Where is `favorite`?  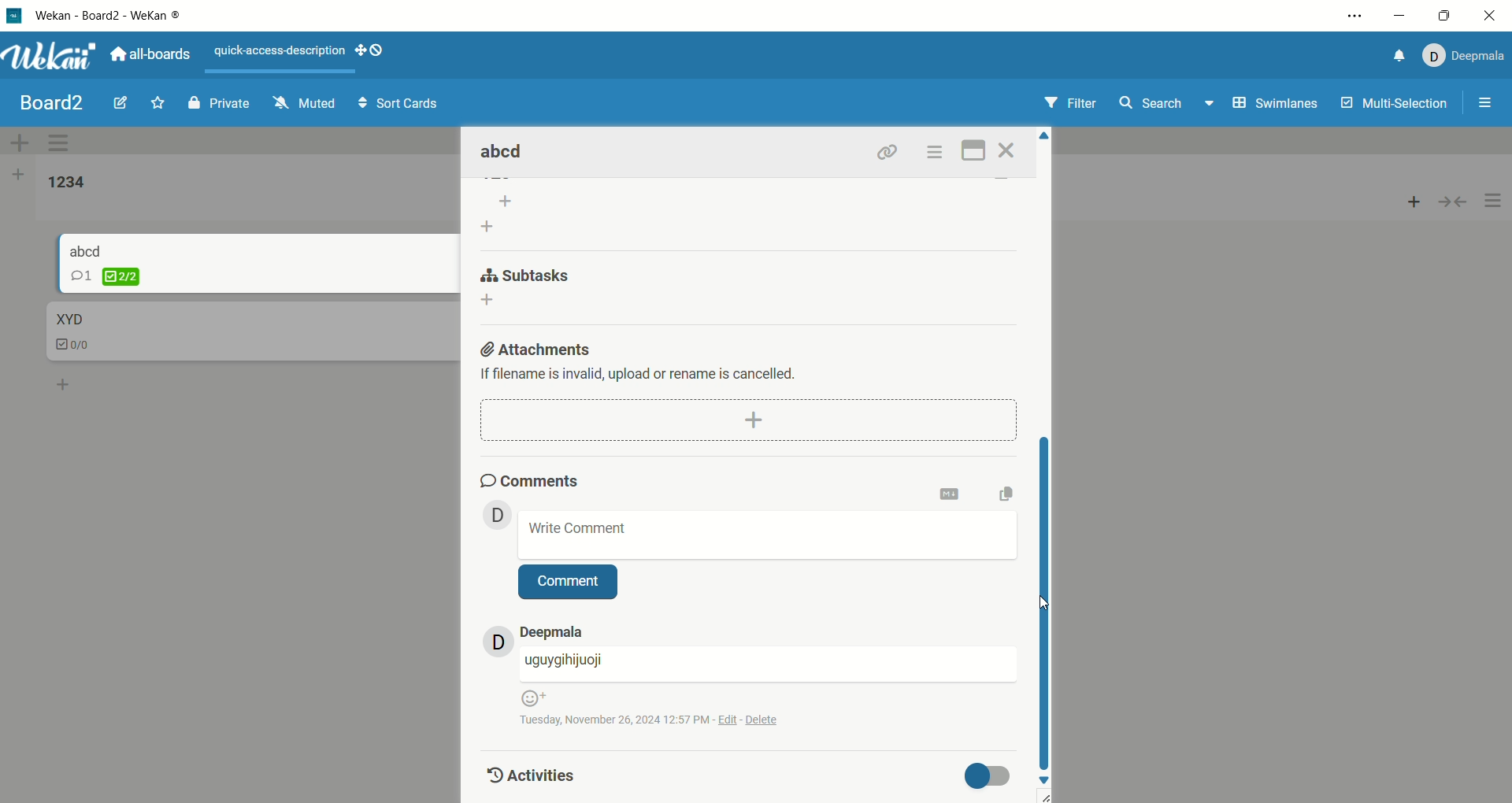 favorite is located at coordinates (159, 102).